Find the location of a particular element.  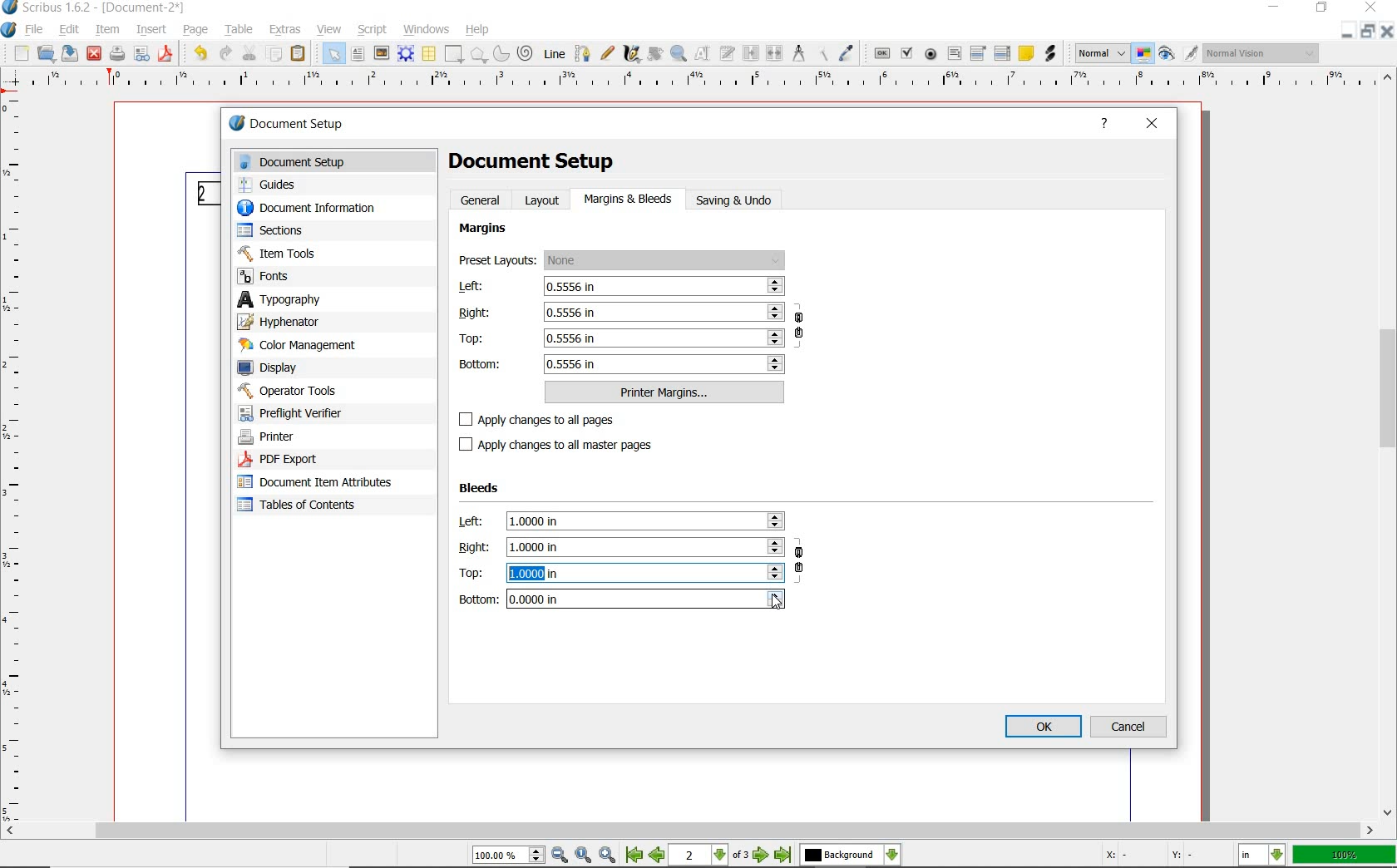

Previous Page is located at coordinates (659, 857).